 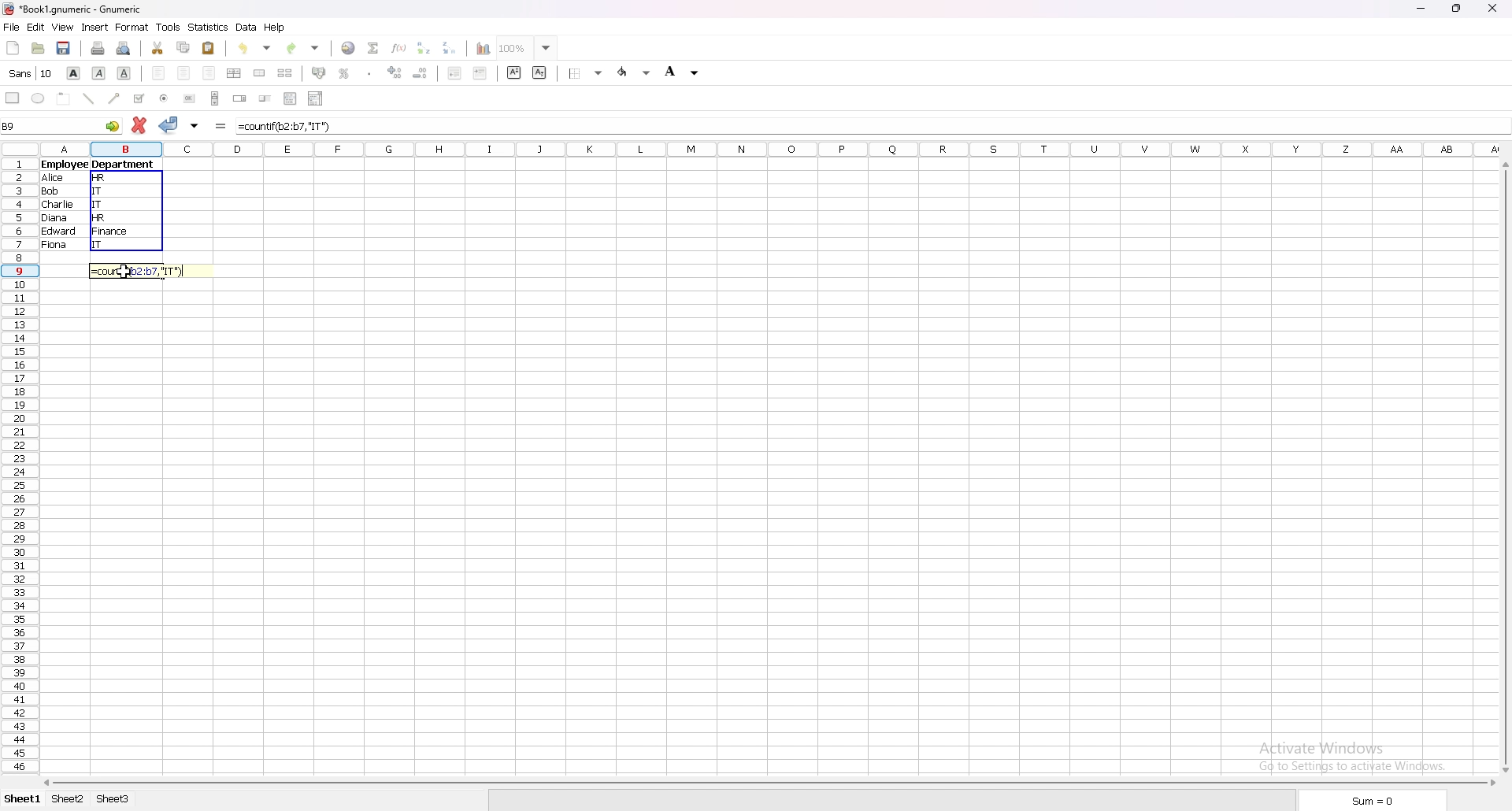 What do you see at coordinates (95, 28) in the screenshot?
I see `insert` at bounding box center [95, 28].